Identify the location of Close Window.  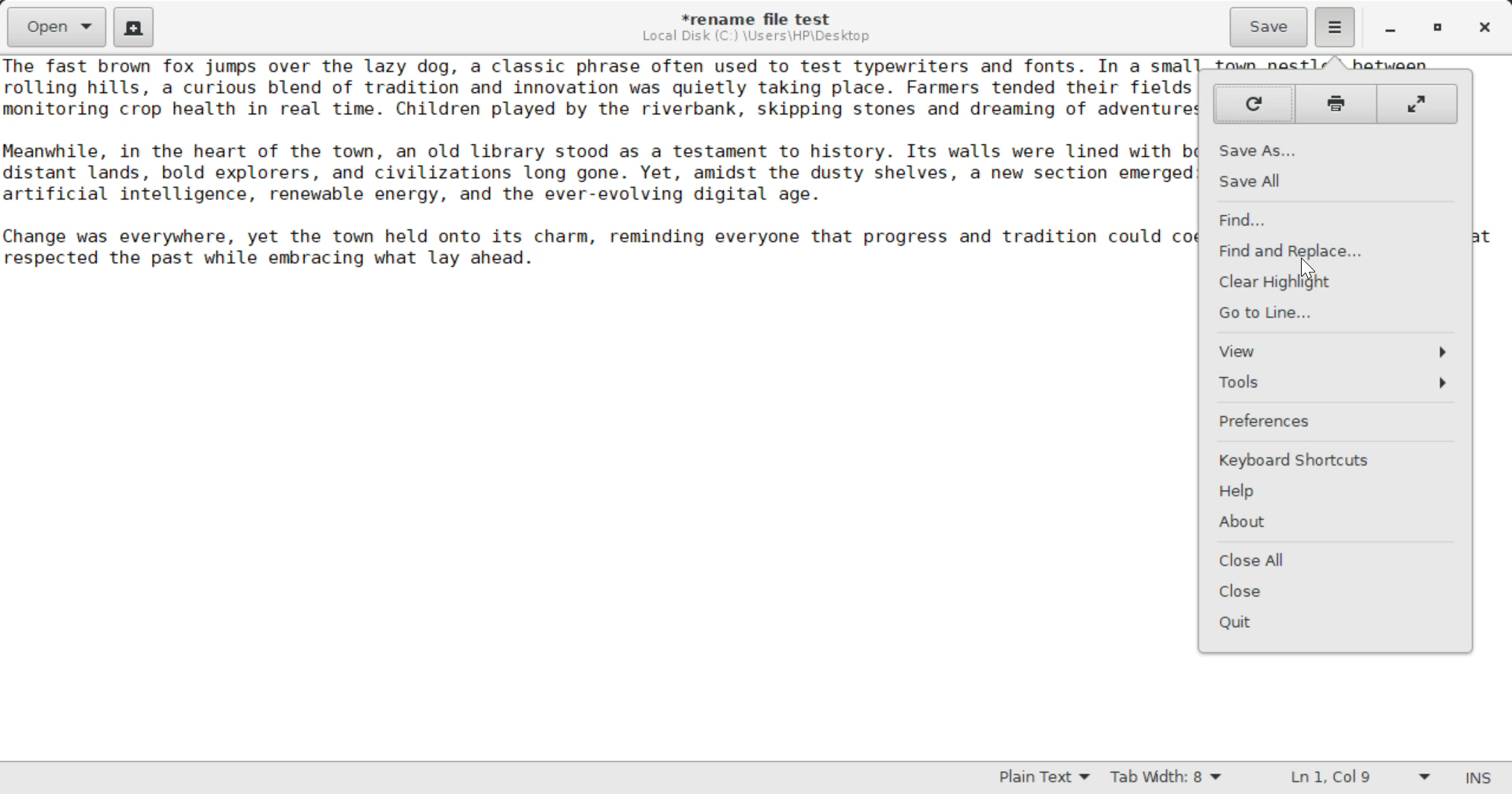
(1482, 27).